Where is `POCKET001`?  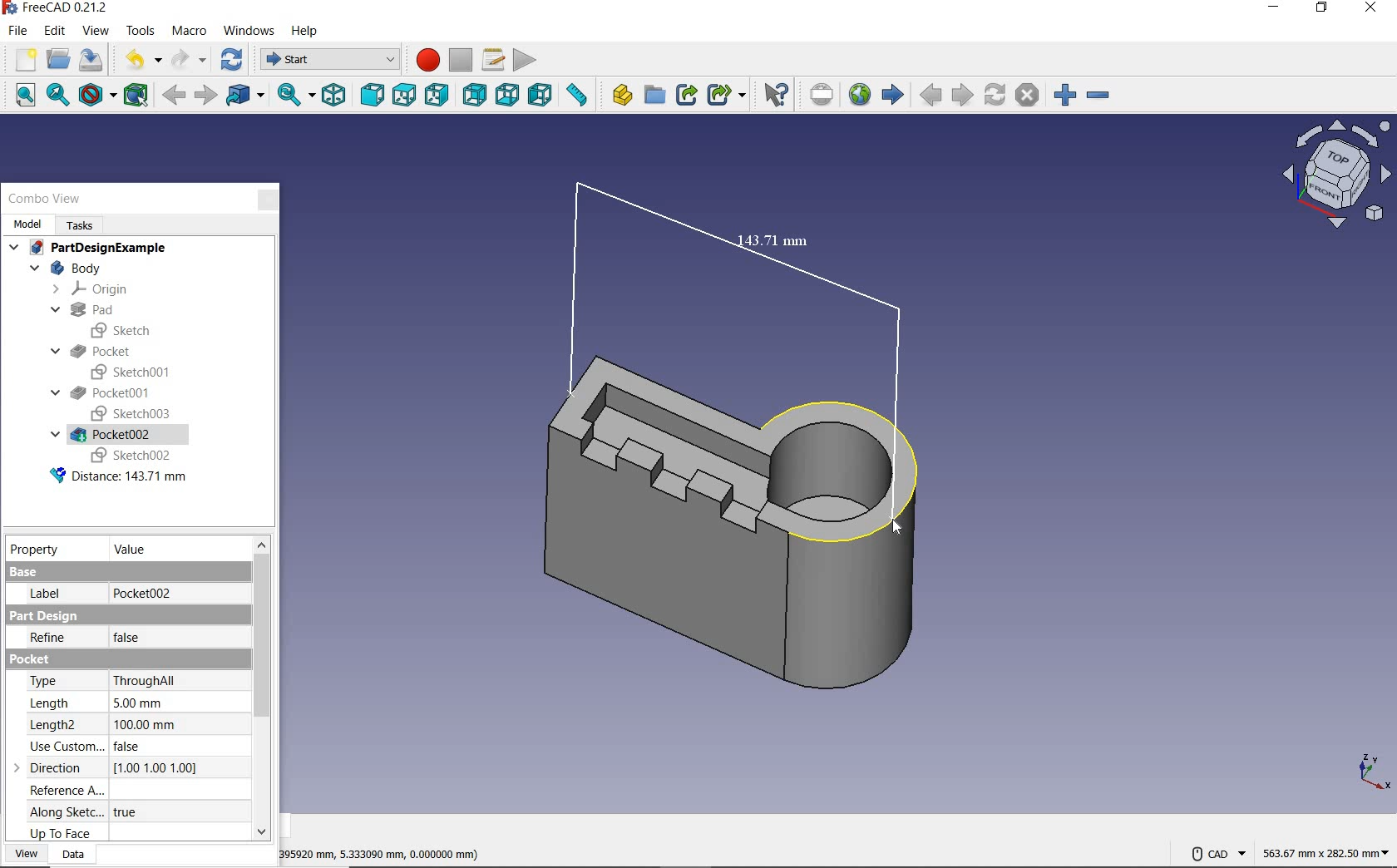 POCKET001 is located at coordinates (102, 393).